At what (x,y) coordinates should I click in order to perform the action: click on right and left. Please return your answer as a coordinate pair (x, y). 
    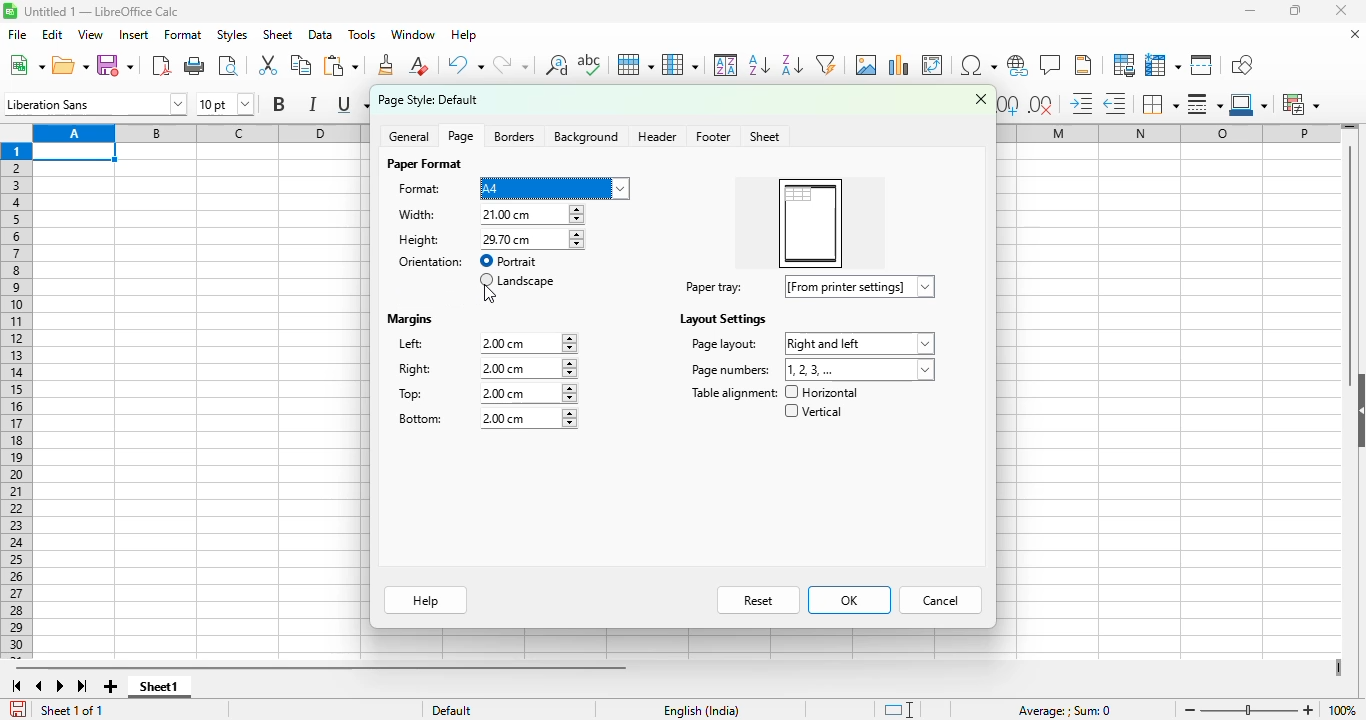
    Looking at the image, I should click on (859, 344).